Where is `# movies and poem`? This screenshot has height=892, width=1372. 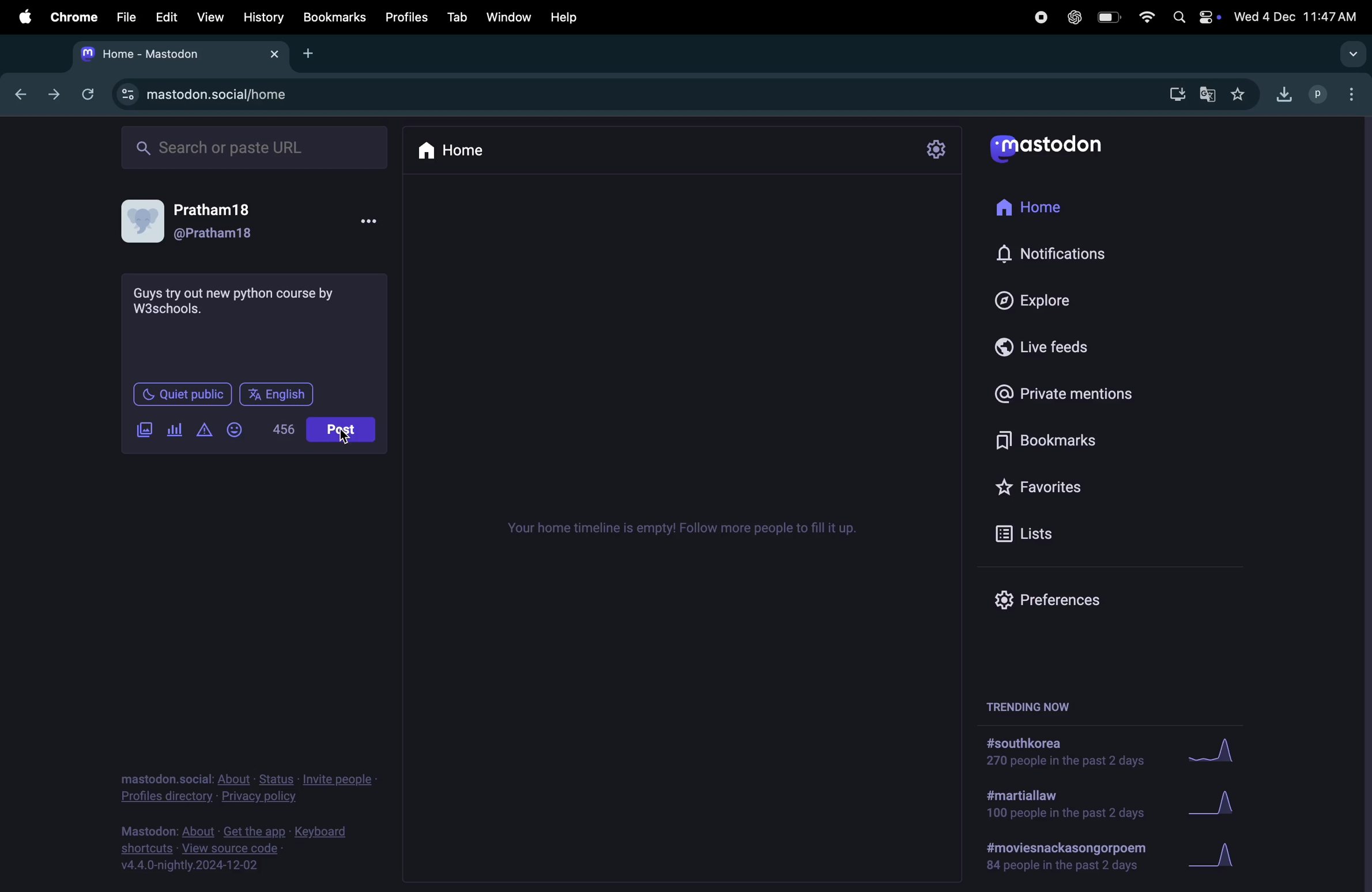
# movies and poem is located at coordinates (1064, 860).